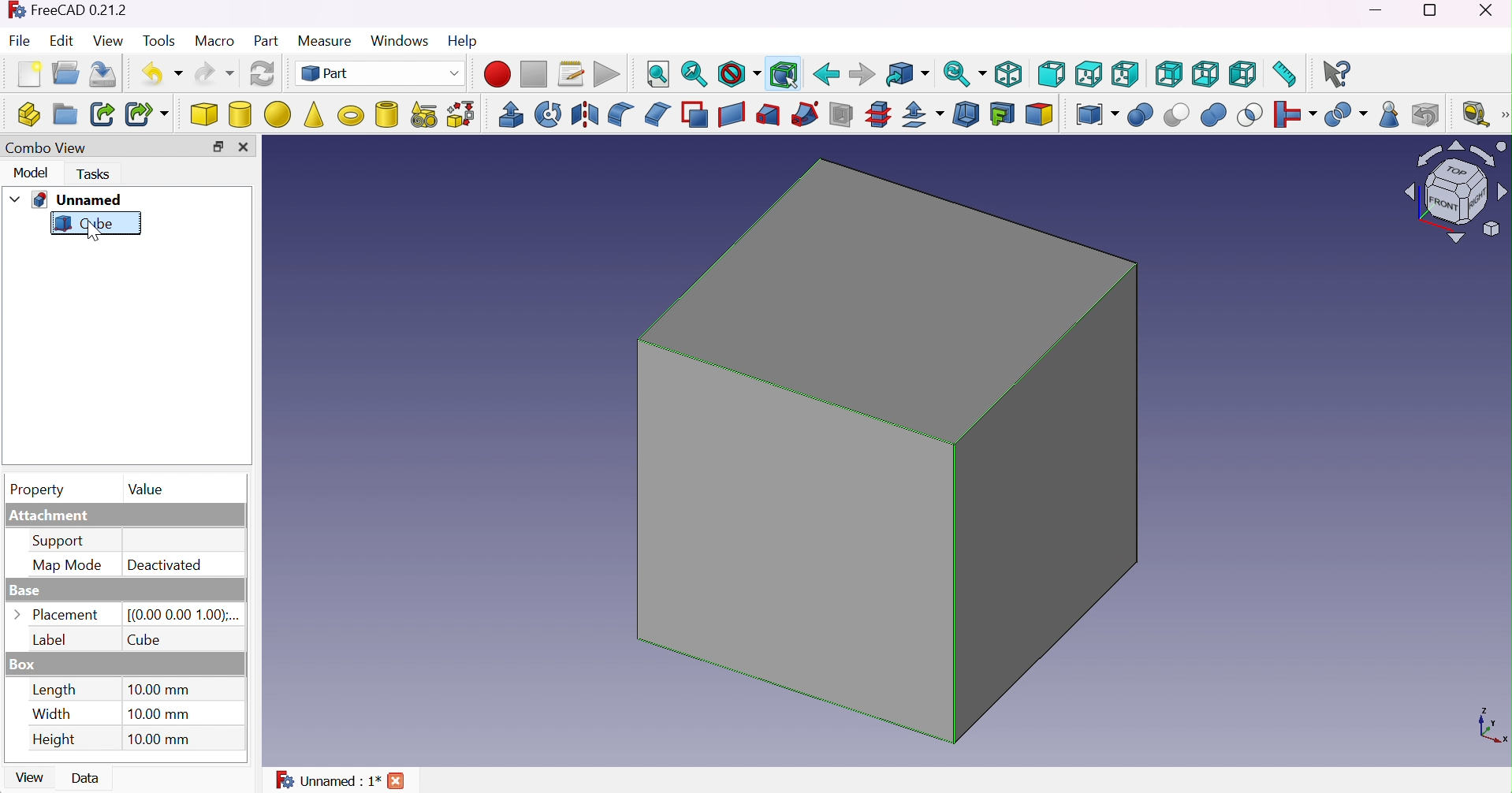 The width and height of the screenshot is (1512, 793). Describe the element at coordinates (906, 74) in the screenshot. I see `Go to linked object` at that location.